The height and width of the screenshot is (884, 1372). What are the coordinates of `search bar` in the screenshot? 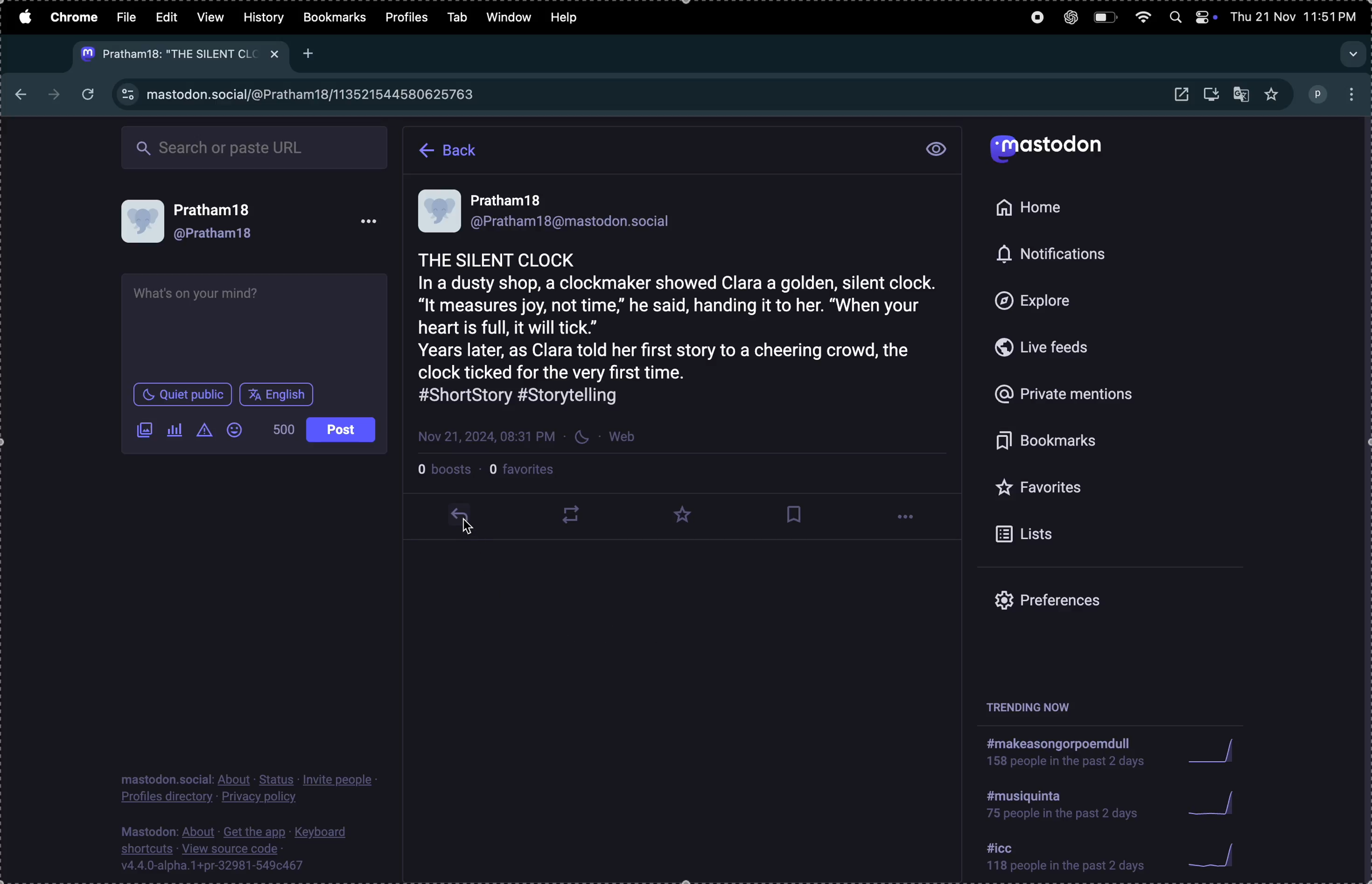 It's located at (256, 145).